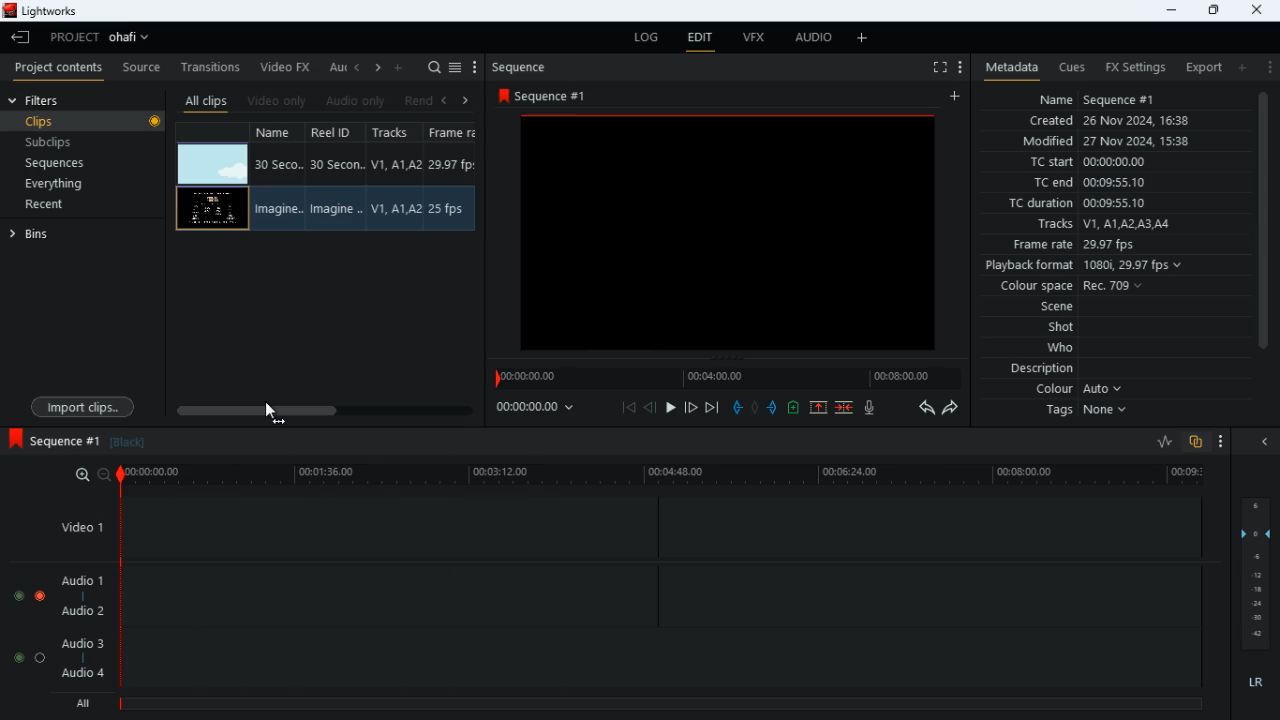 This screenshot has height=720, width=1280. I want to click on sequence, so click(542, 93).